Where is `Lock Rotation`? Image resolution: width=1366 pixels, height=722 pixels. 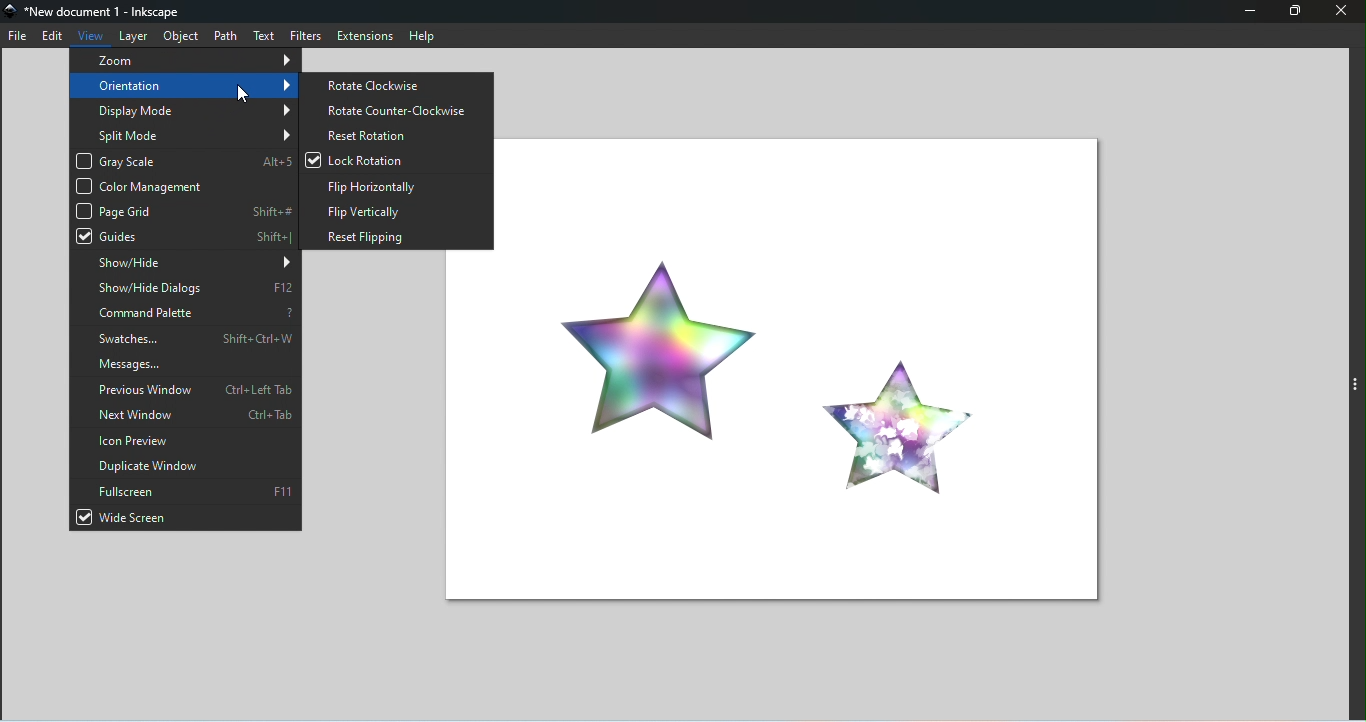 Lock Rotation is located at coordinates (397, 158).